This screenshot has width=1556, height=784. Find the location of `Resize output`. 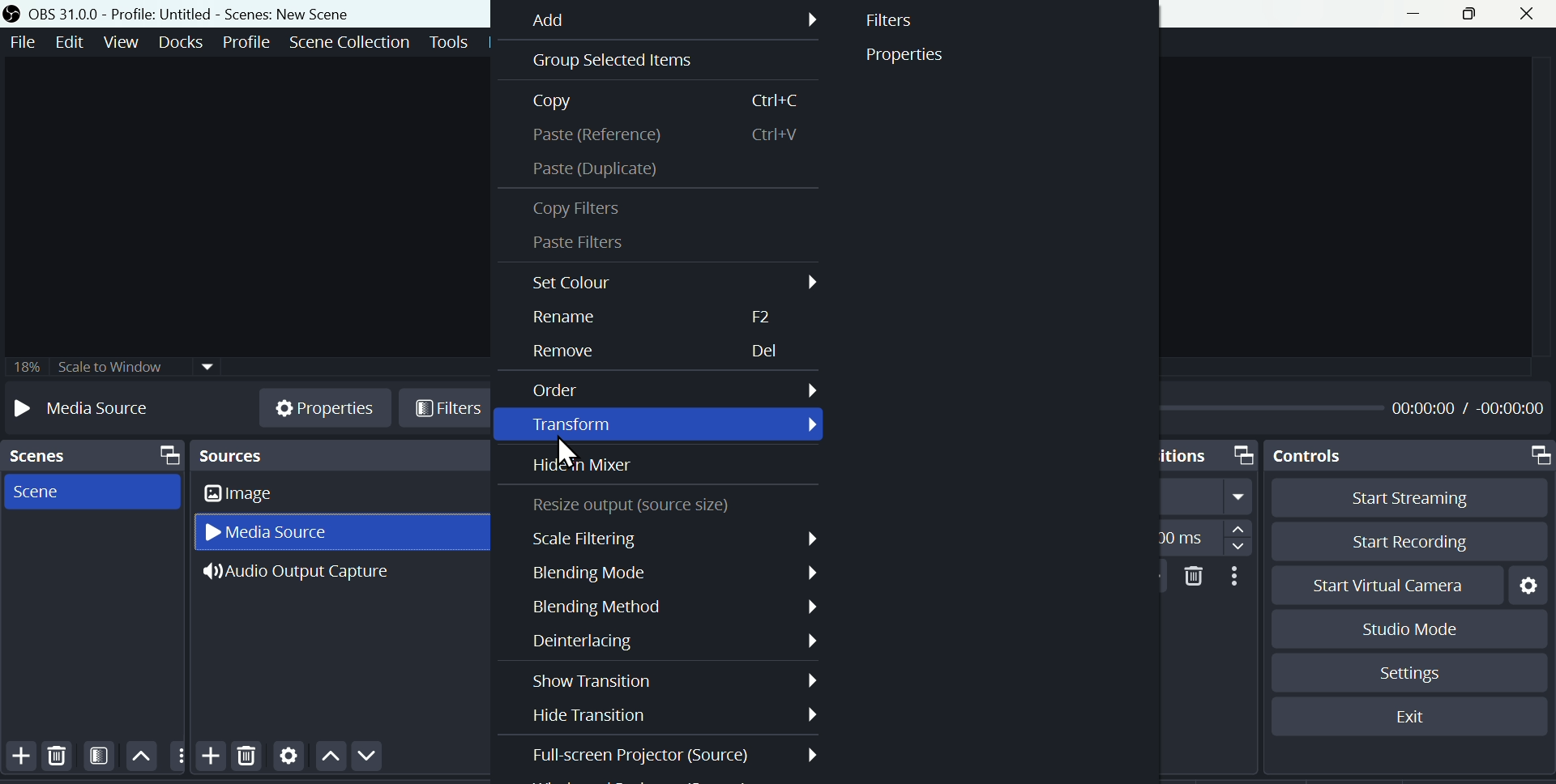

Resize output is located at coordinates (637, 505).